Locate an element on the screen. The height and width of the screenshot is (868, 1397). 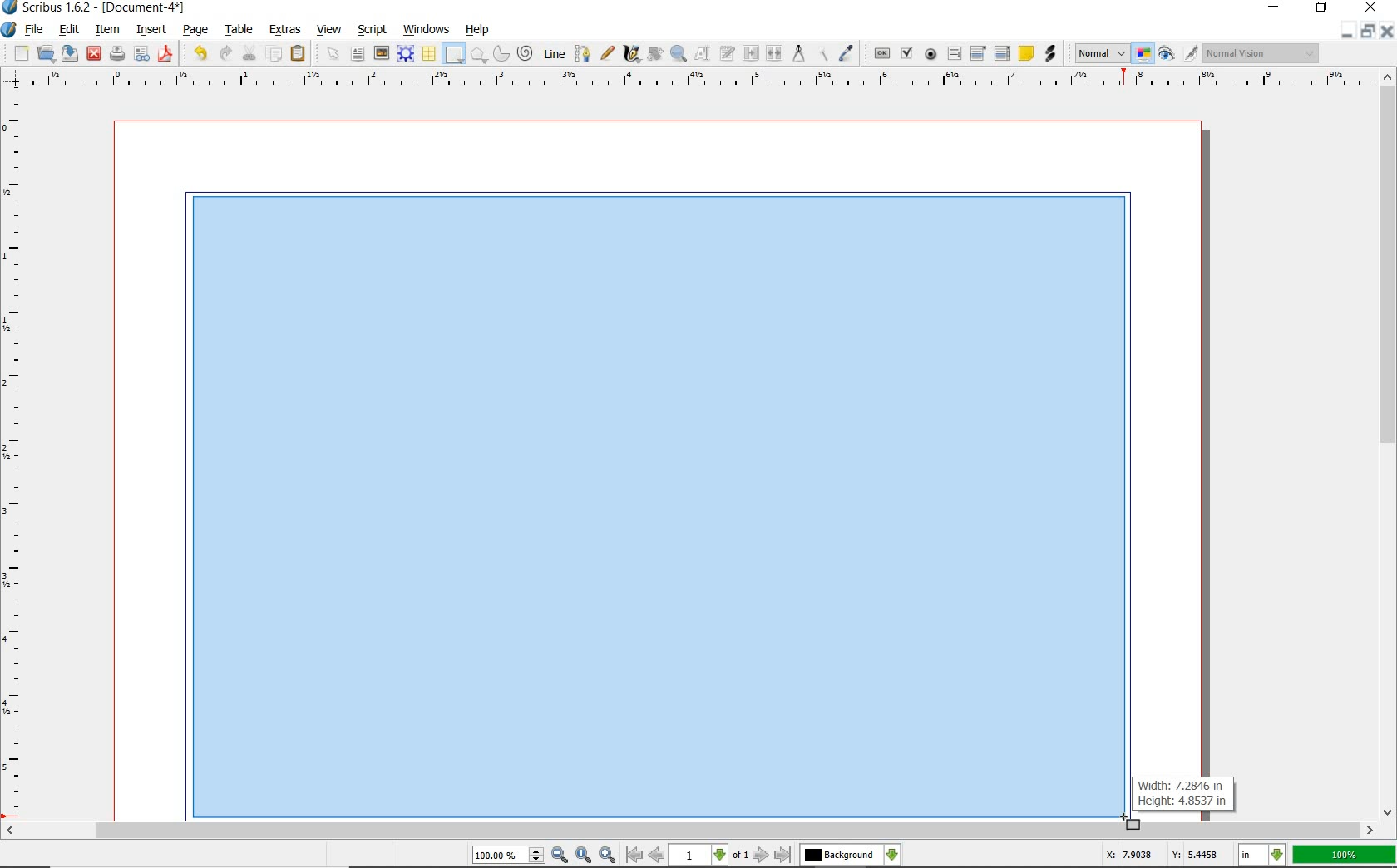
system icon is located at coordinates (9, 29).